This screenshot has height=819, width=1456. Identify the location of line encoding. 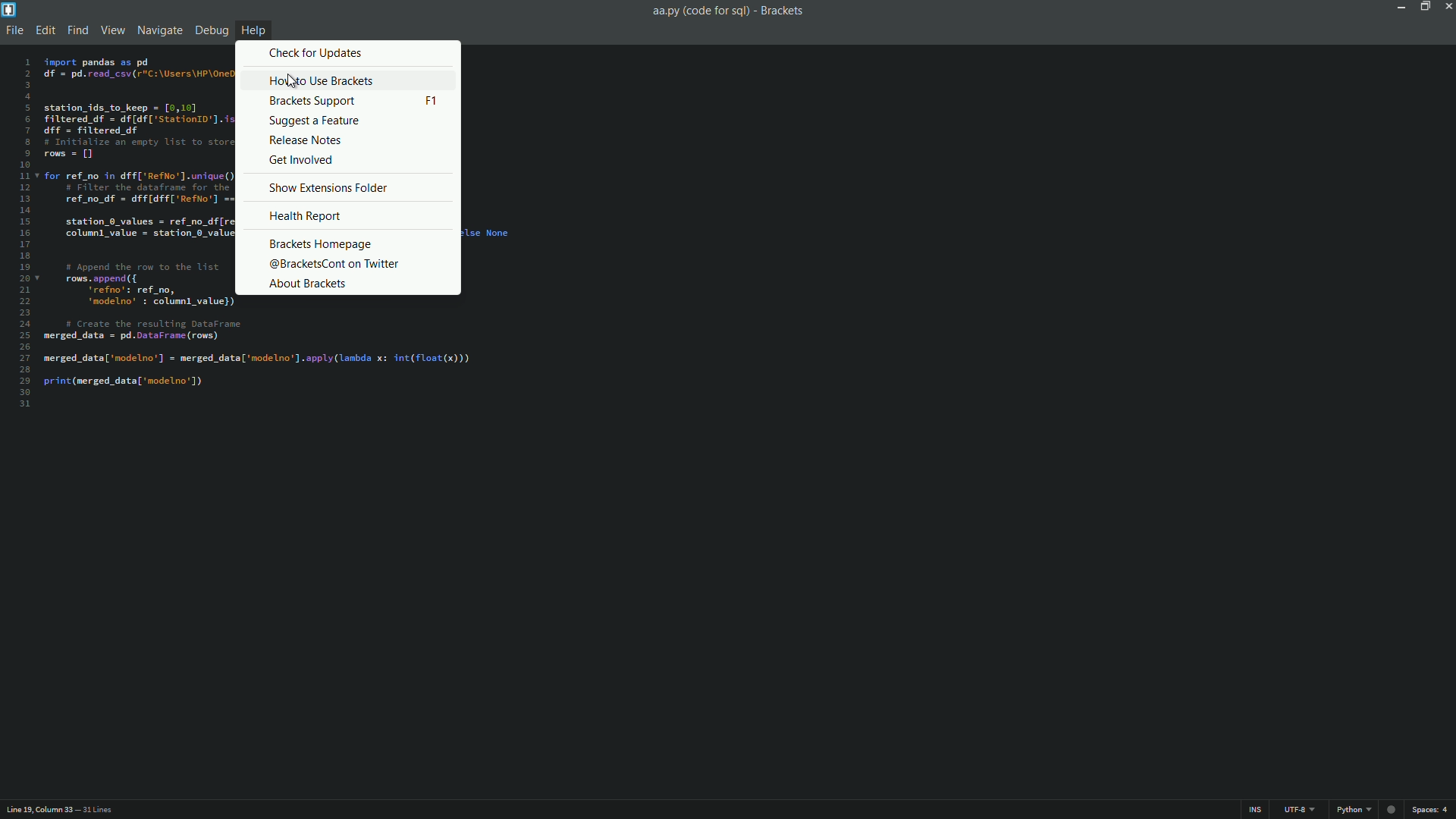
(1296, 810).